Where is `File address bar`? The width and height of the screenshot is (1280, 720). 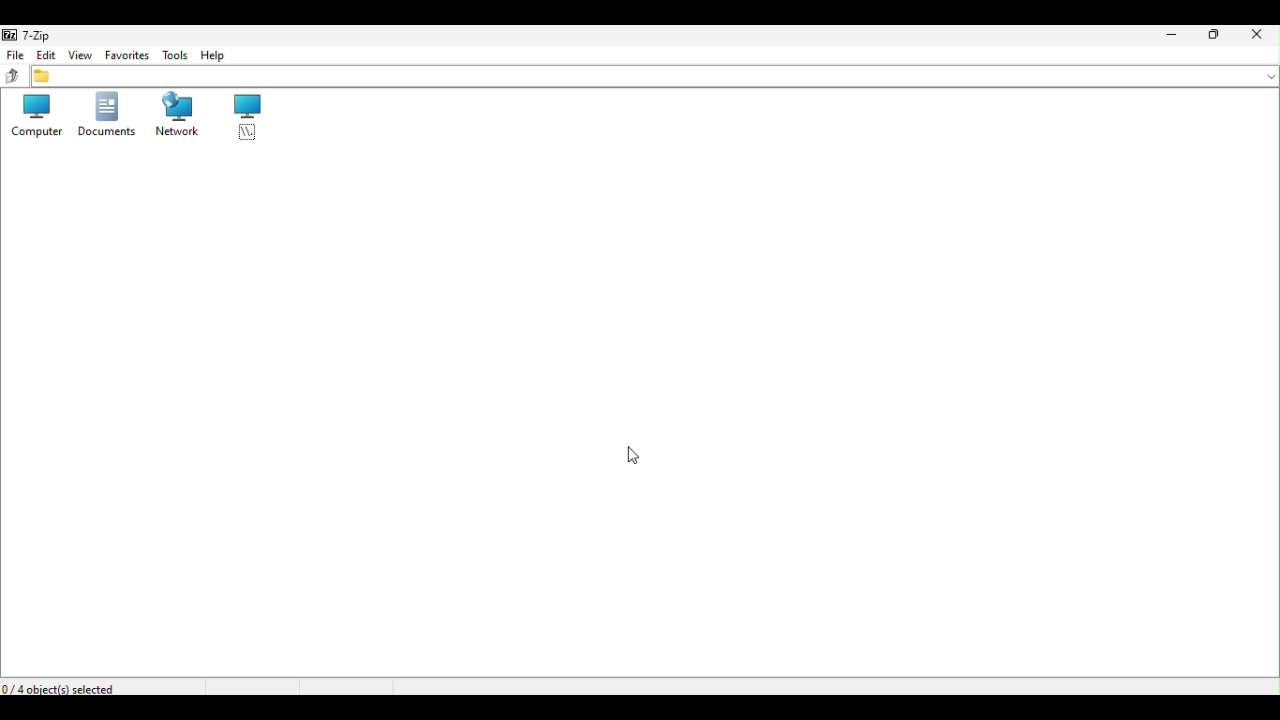 File address bar is located at coordinates (655, 77).